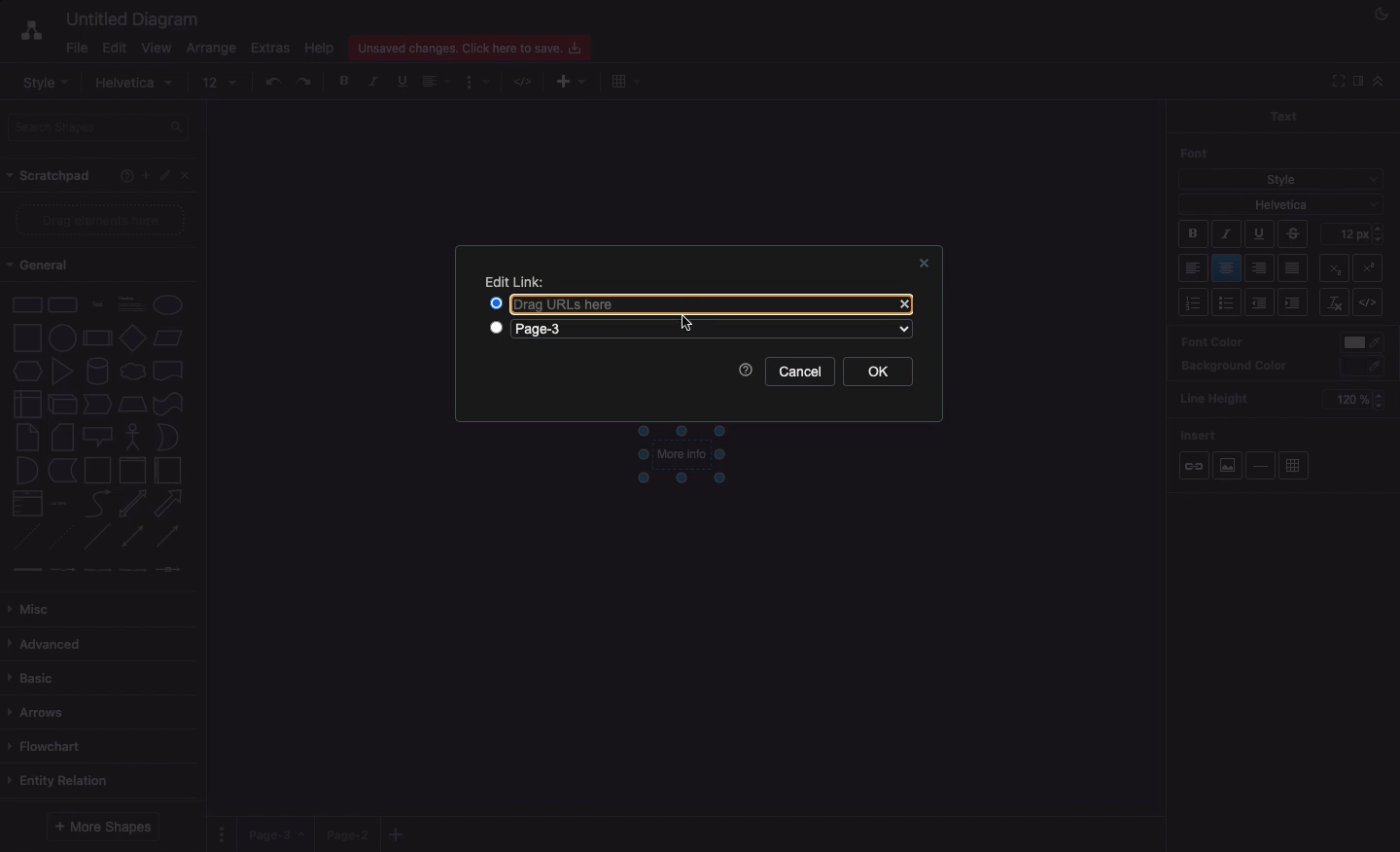 Image resolution: width=1400 pixels, height=852 pixels. What do you see at coordinates (133, 372) in the screenshot?
I see `cloud` at bounding box center [133, 372].